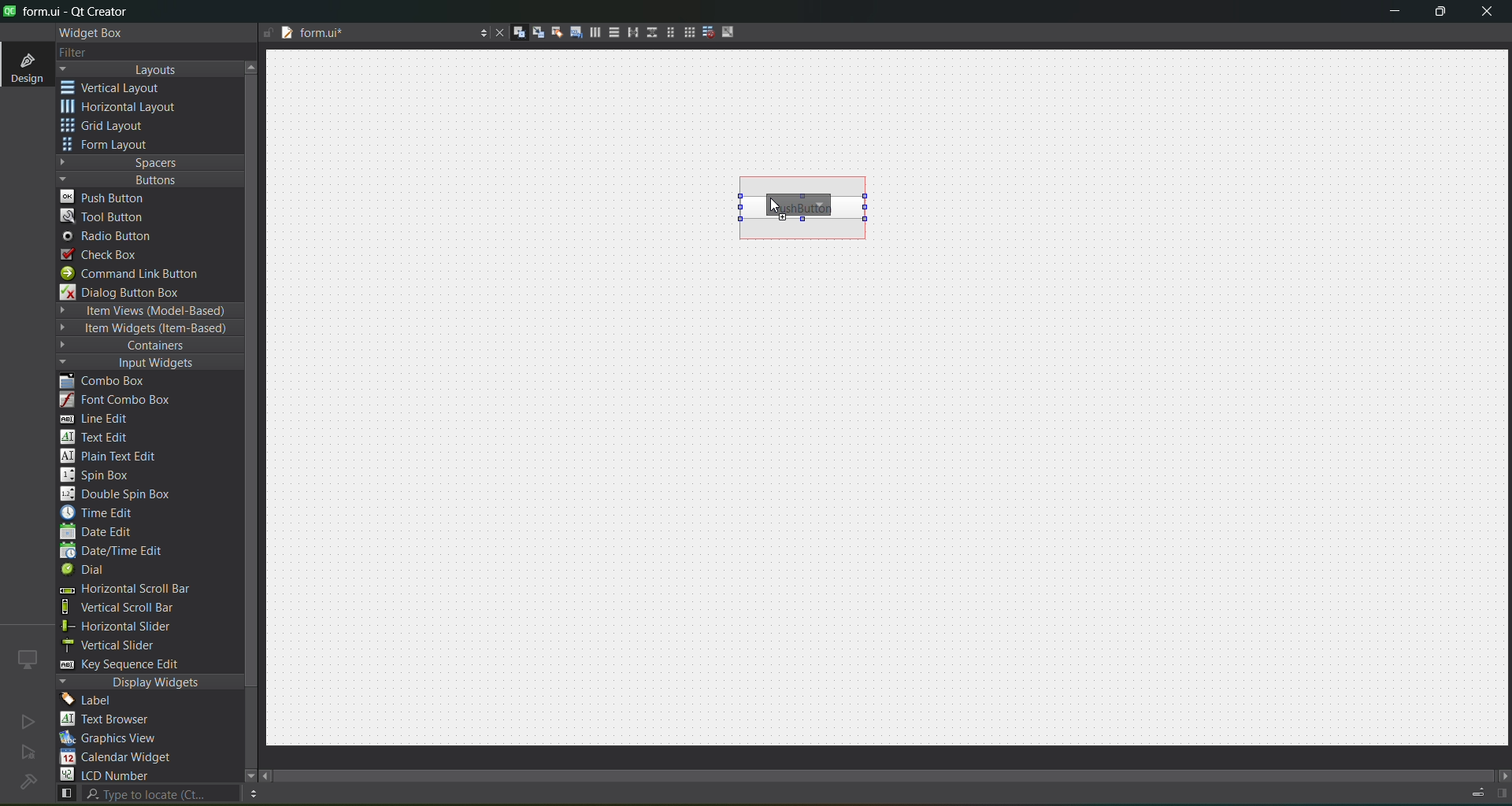 The height and width of the screenshot is (806, 1512). I want to click on vertical, so click(122, 88).